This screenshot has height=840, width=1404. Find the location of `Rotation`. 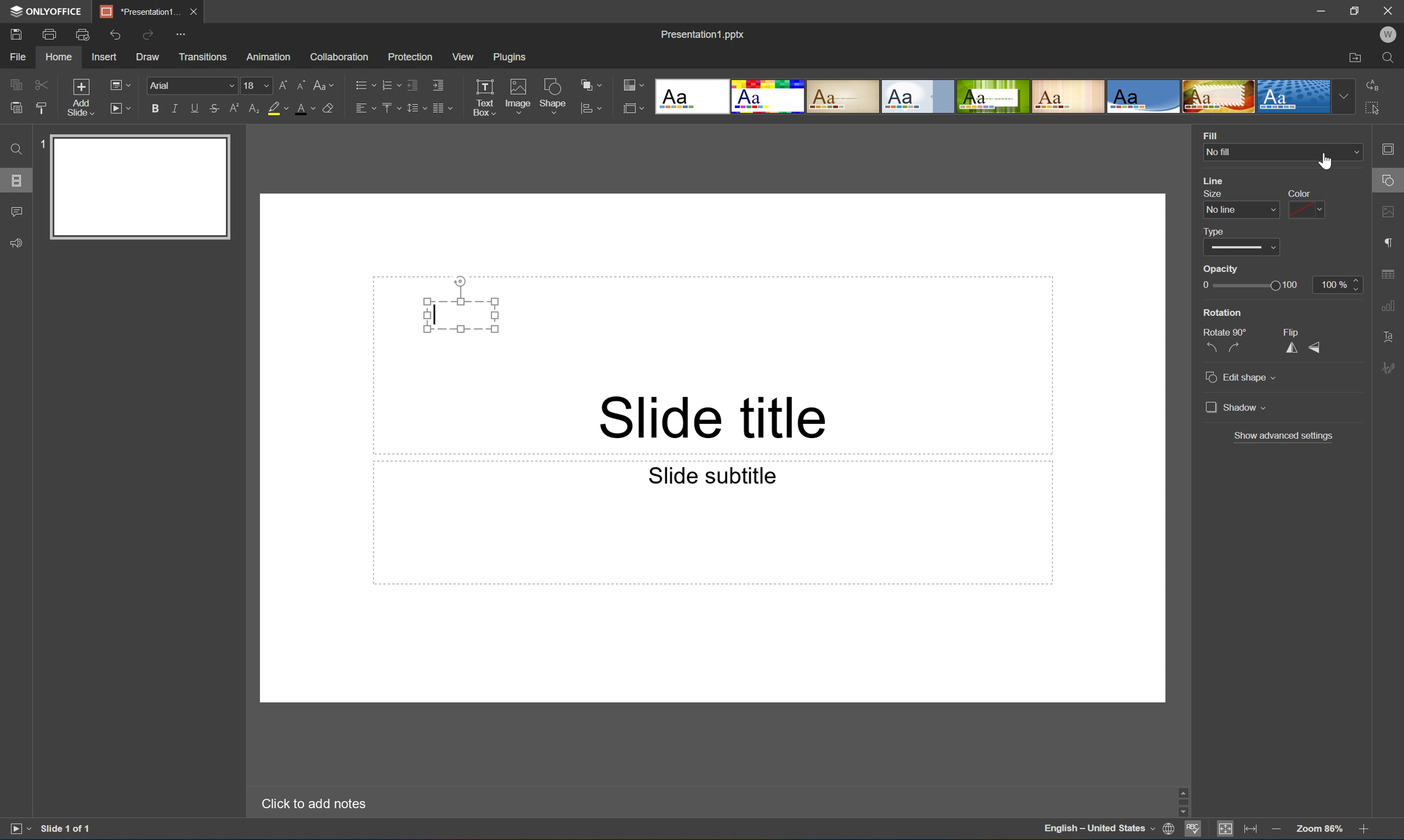

Rotation is located at coordinates (1223, 312).